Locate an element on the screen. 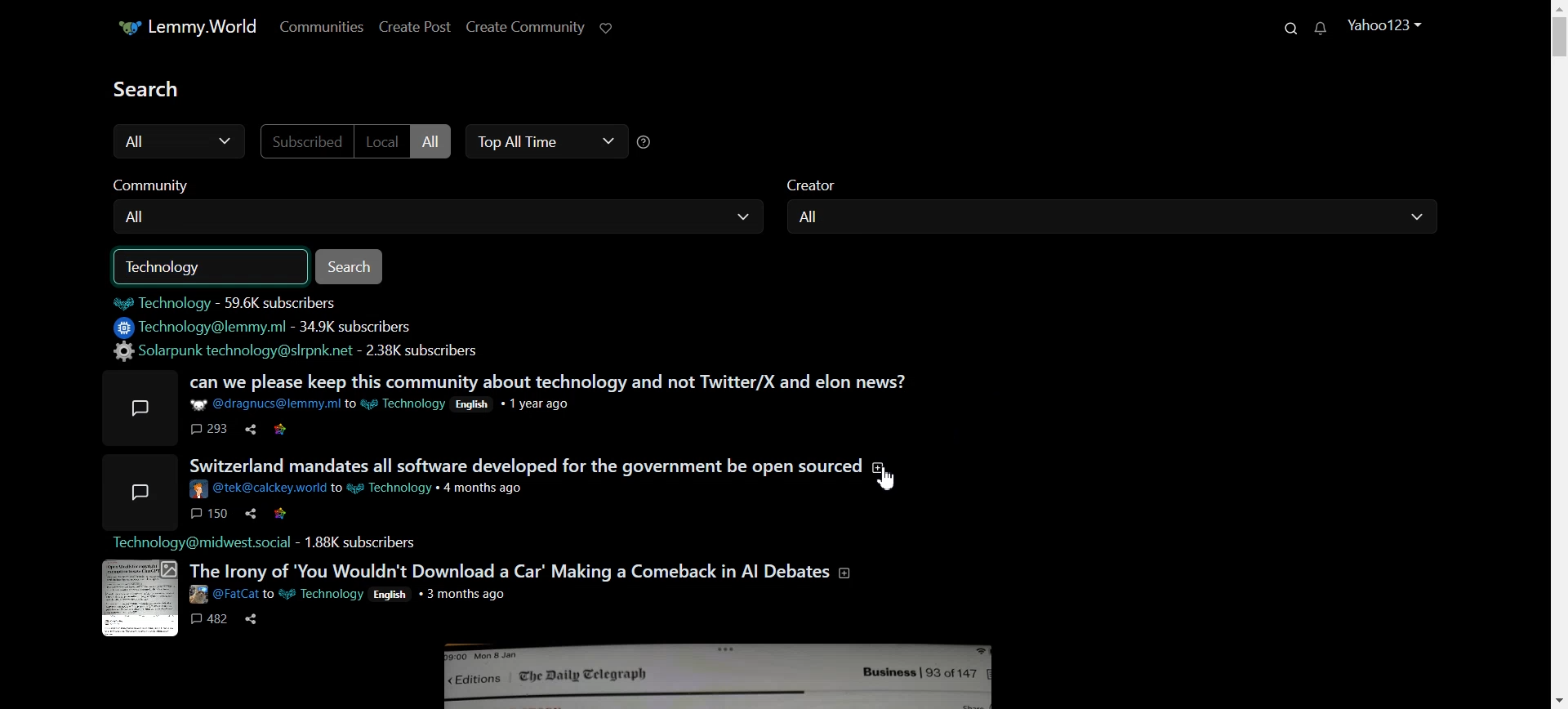 This screenshot has height=709, width=1568. Communities is located at coordinates (325, 26).